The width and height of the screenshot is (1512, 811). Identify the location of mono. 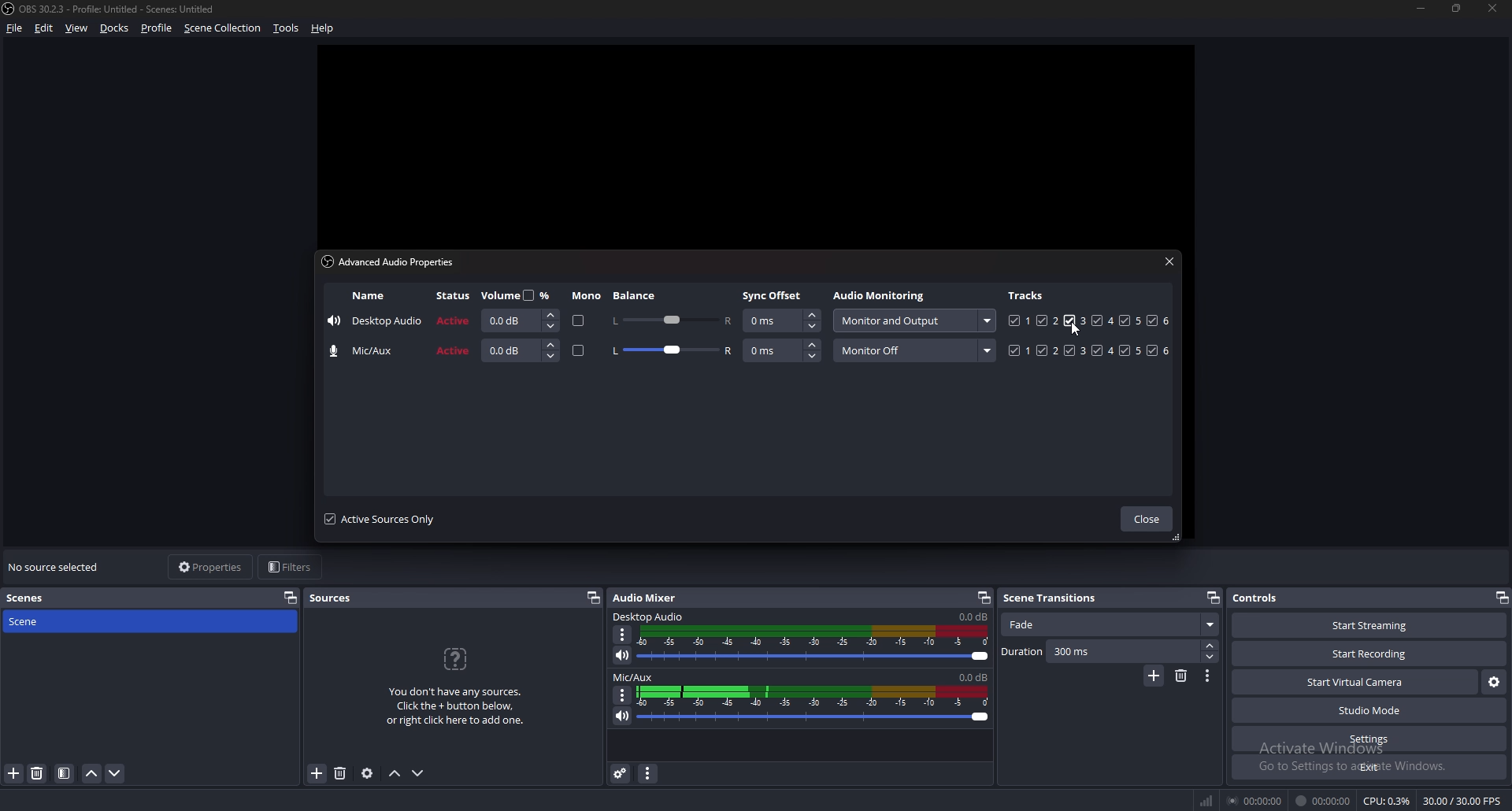
(576, 321).